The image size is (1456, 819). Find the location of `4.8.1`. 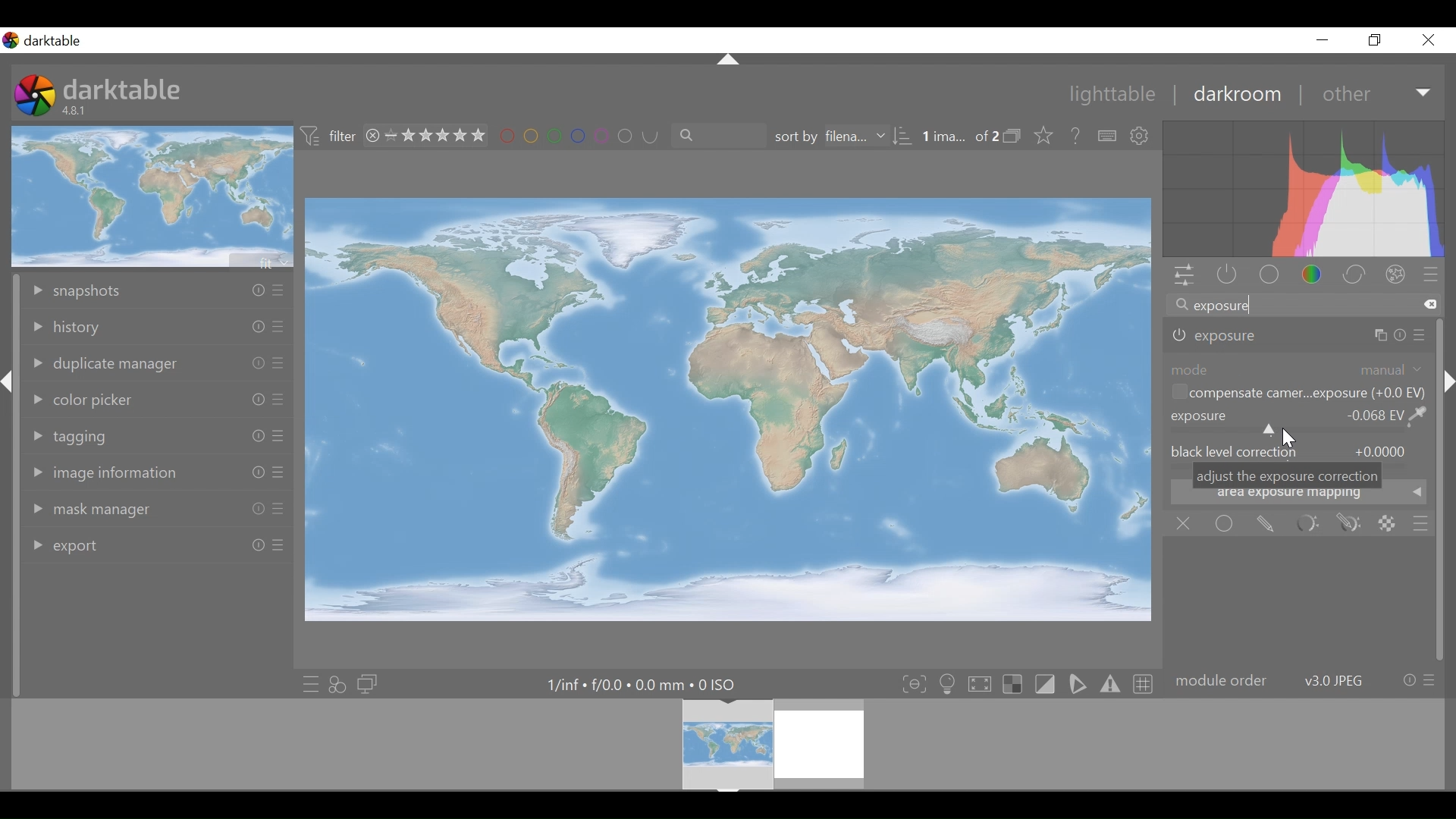

4.8.1 is located at coordinates (77, 111).